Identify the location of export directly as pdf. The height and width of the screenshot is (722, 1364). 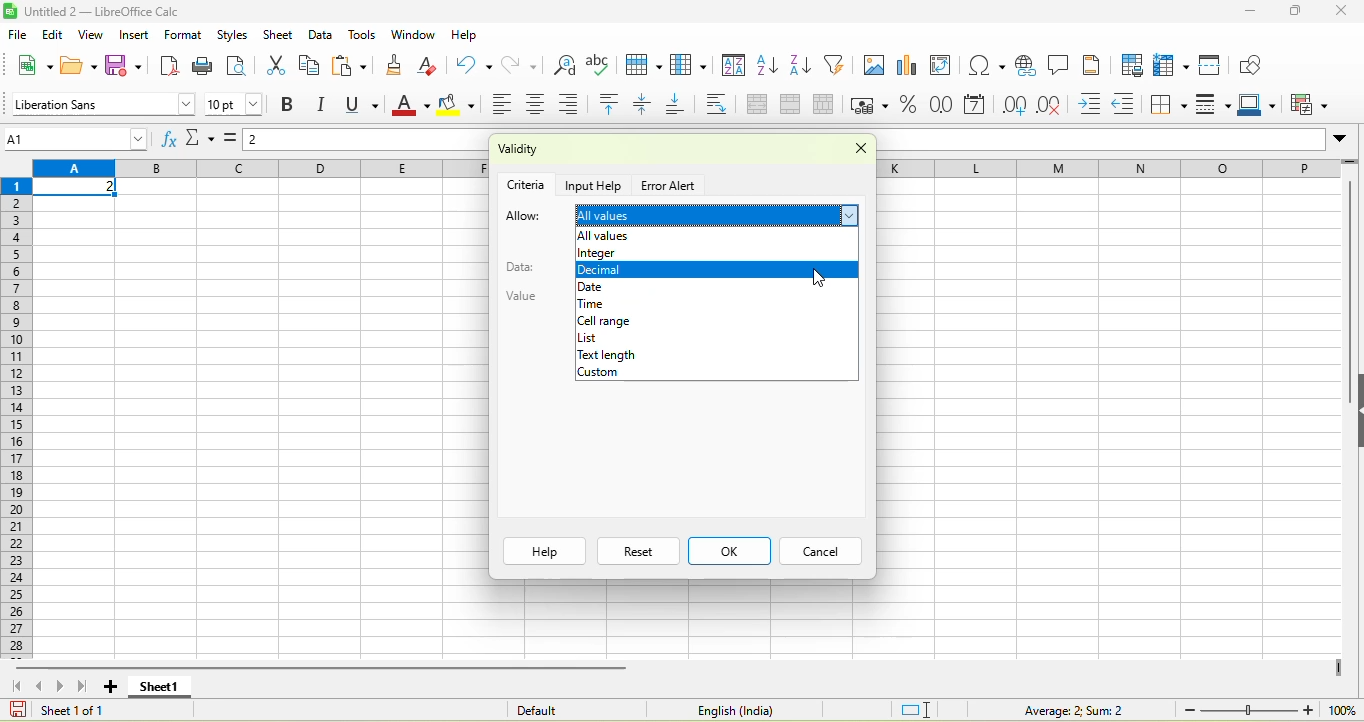
(174, 66).